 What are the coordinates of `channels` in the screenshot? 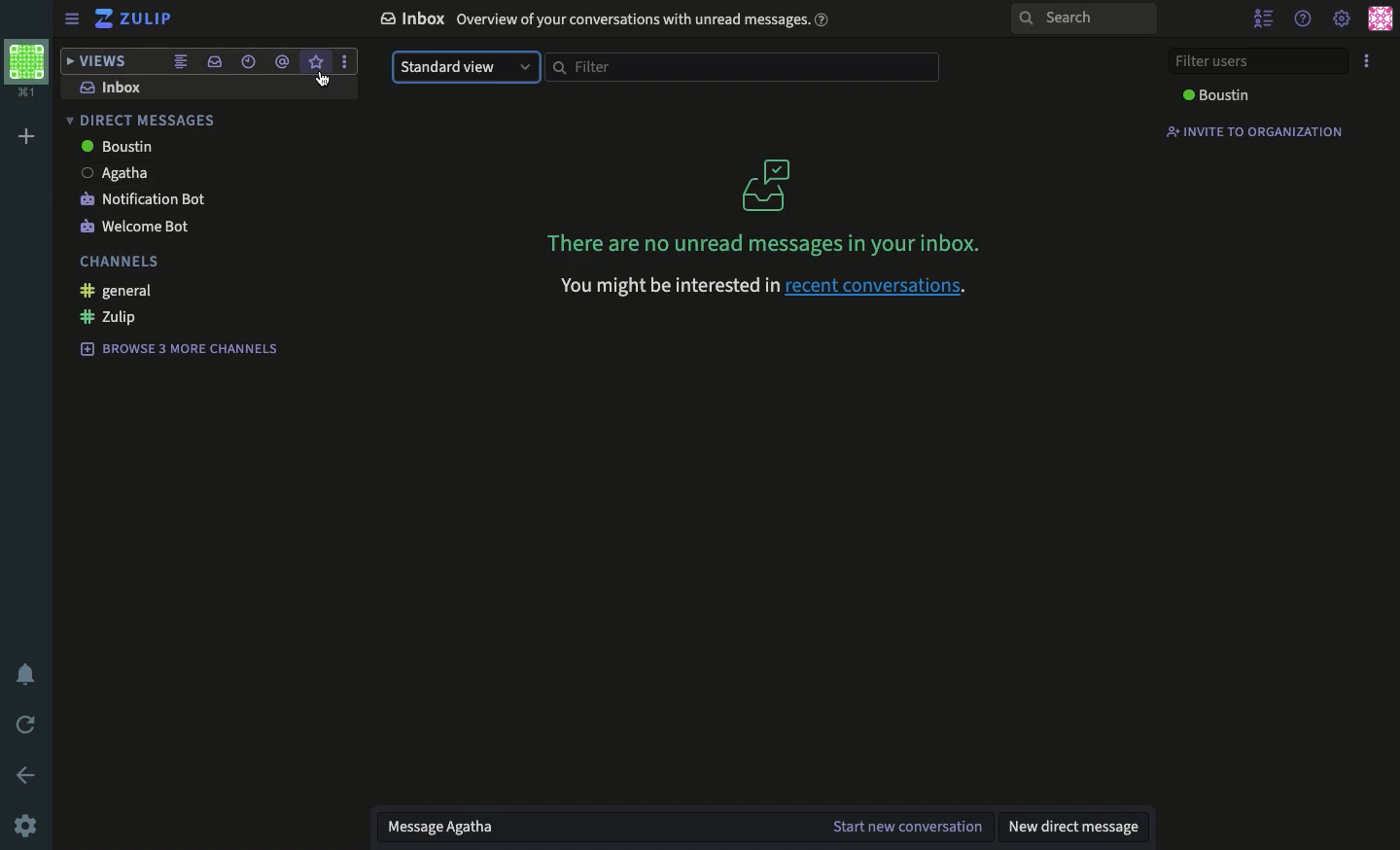 It's located at (115, 262).